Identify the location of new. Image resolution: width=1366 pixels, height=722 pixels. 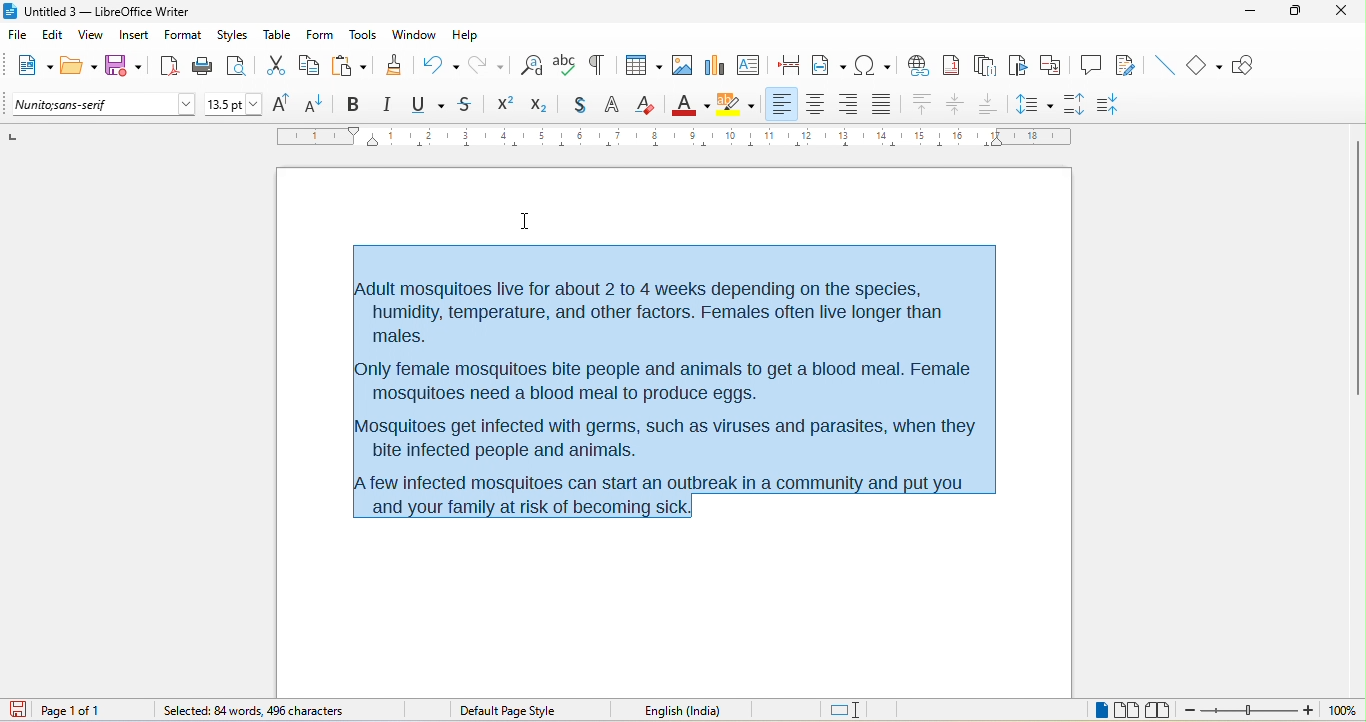
(31, 68).